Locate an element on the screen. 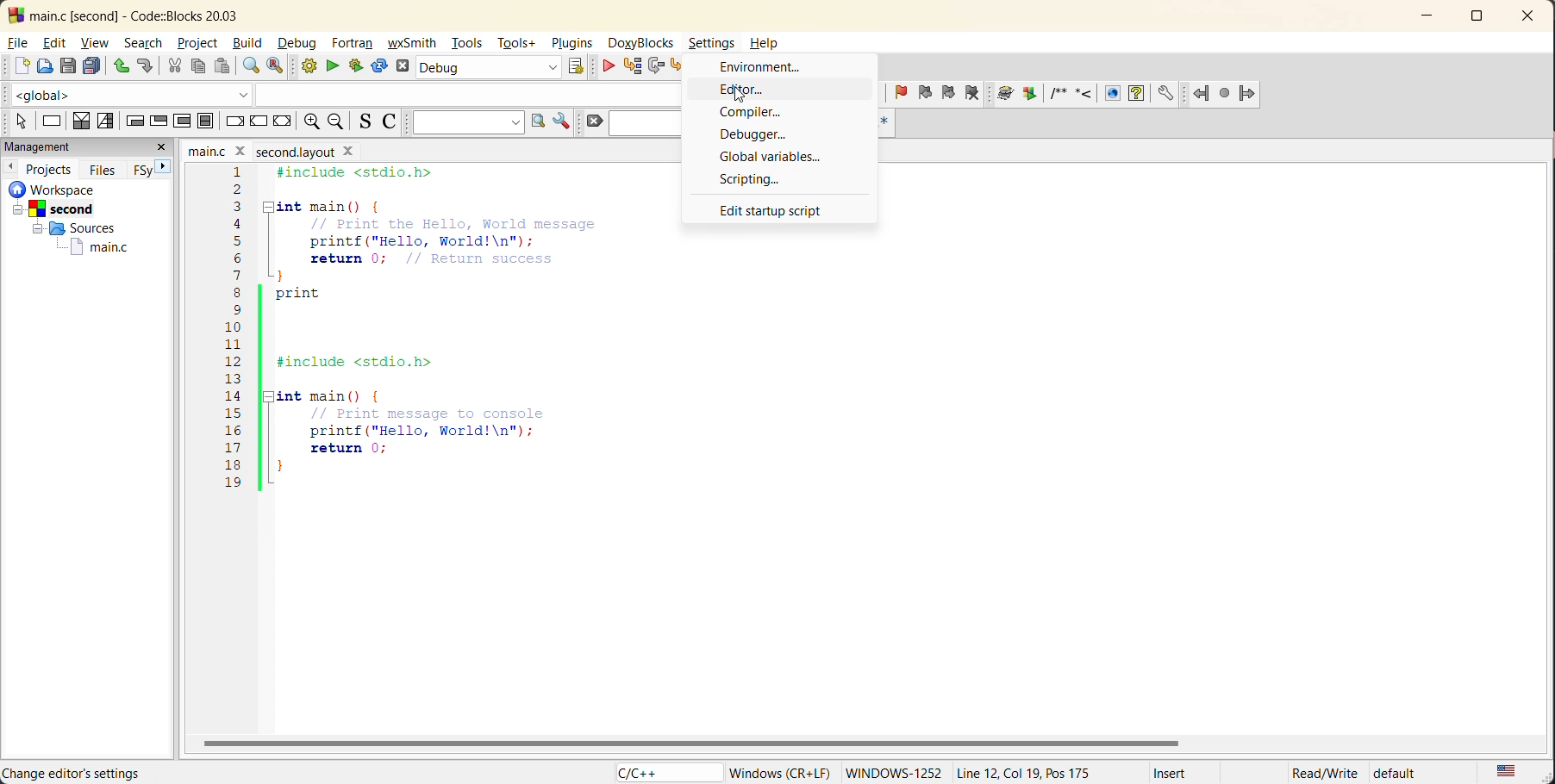  windows is located at coordinates (891, 772).